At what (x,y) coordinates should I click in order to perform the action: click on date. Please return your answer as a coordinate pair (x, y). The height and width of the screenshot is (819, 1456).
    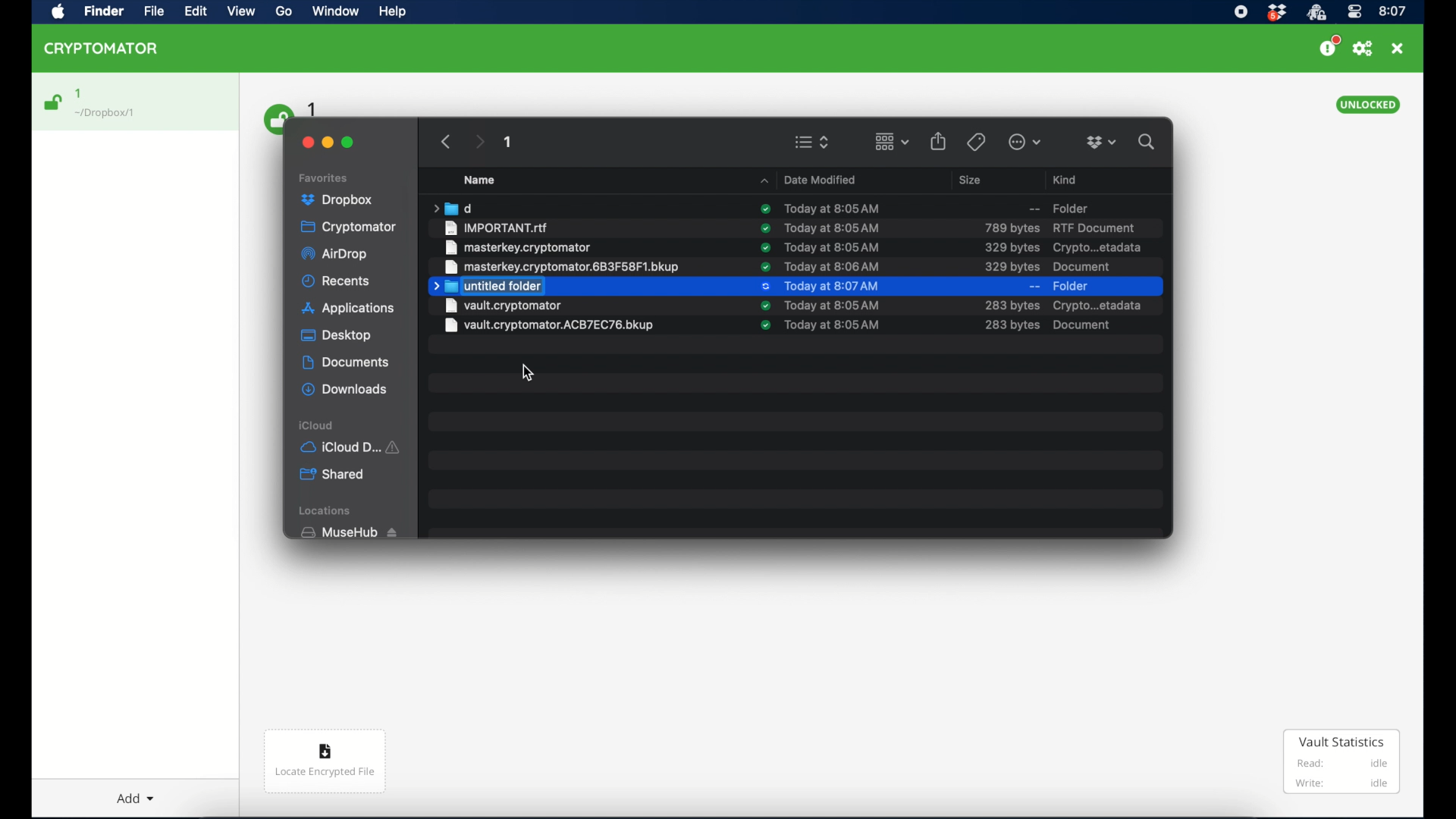
    Looking at the image, I should click on (833, 305).